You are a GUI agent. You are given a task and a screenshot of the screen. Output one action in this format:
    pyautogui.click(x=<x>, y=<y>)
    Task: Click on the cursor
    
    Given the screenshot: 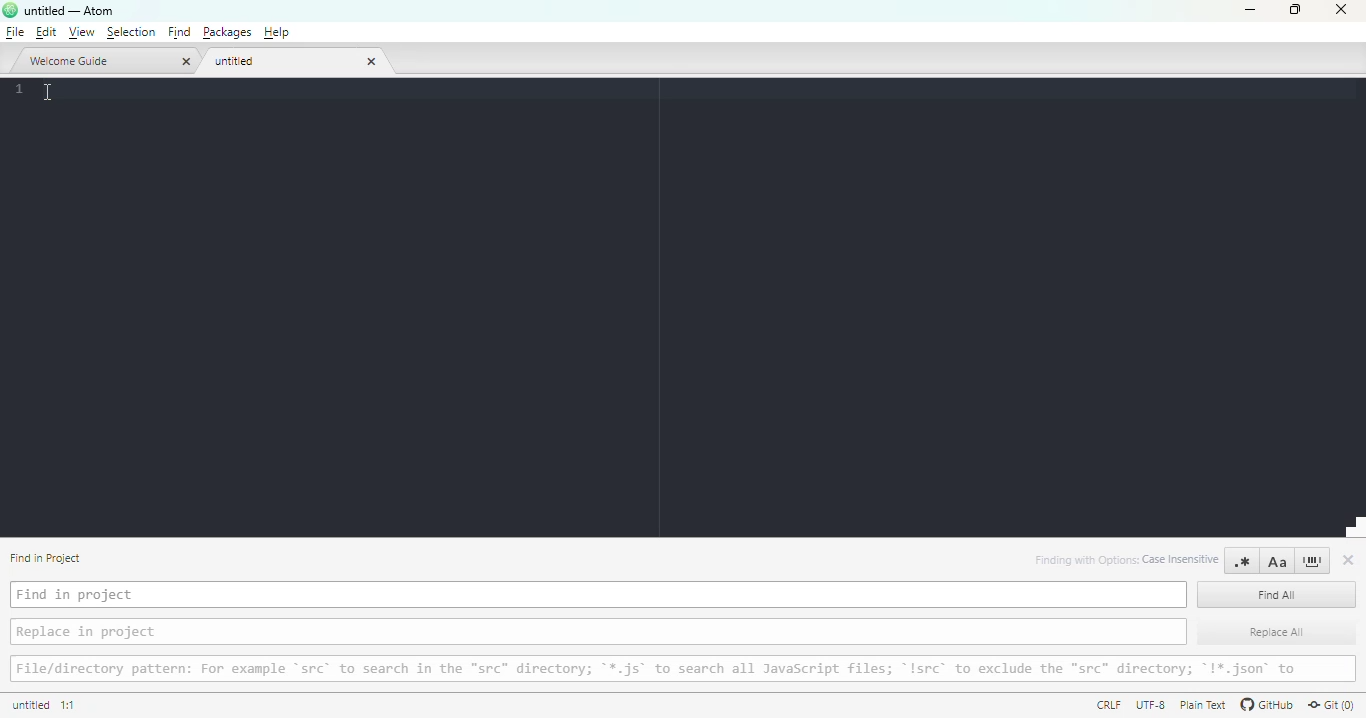 What is the action you would take?
    pyautogui.click(x=46, y=92)
    